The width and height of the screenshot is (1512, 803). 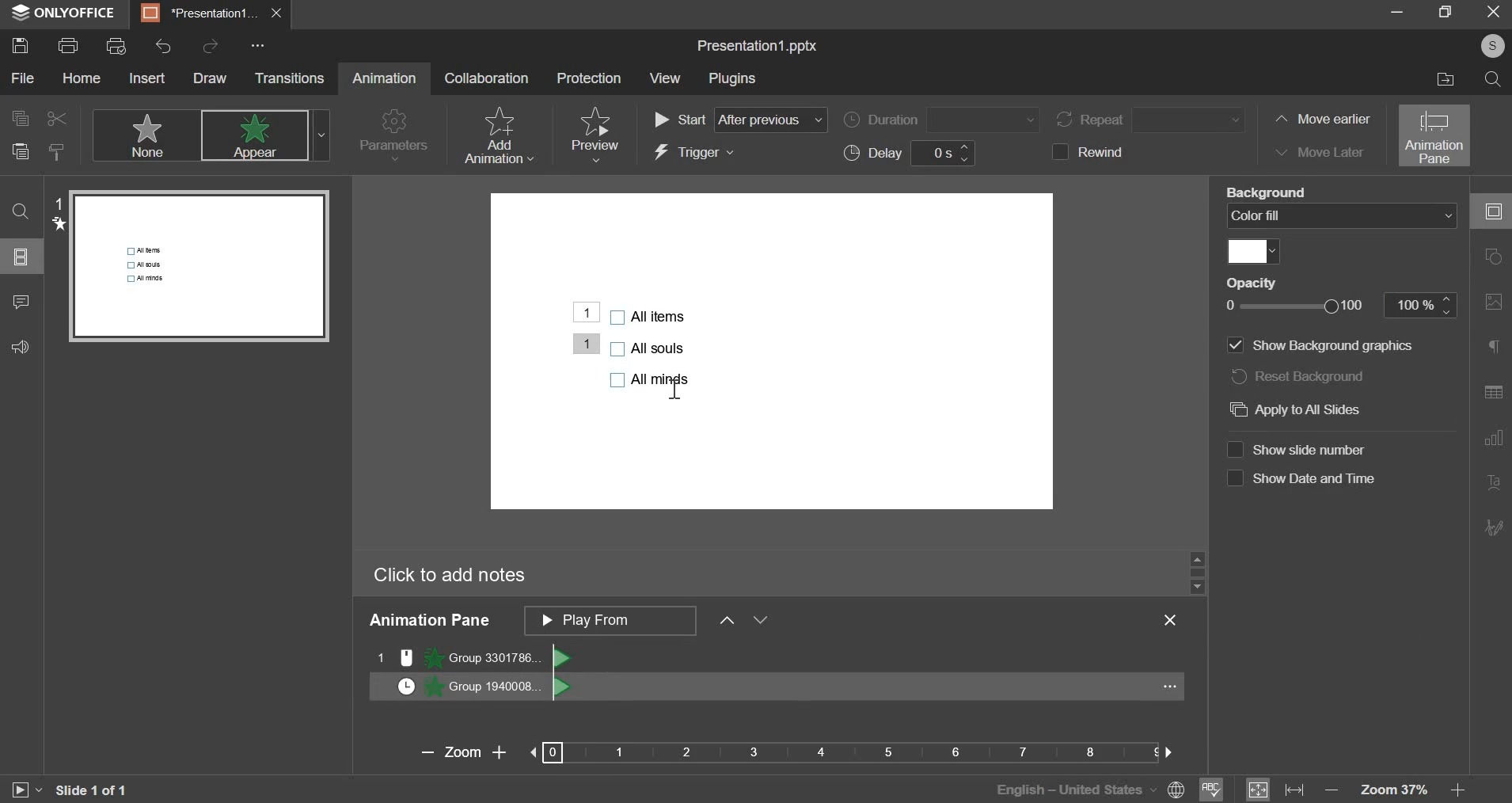 I want to click on start order, so click(x=739, y=120).